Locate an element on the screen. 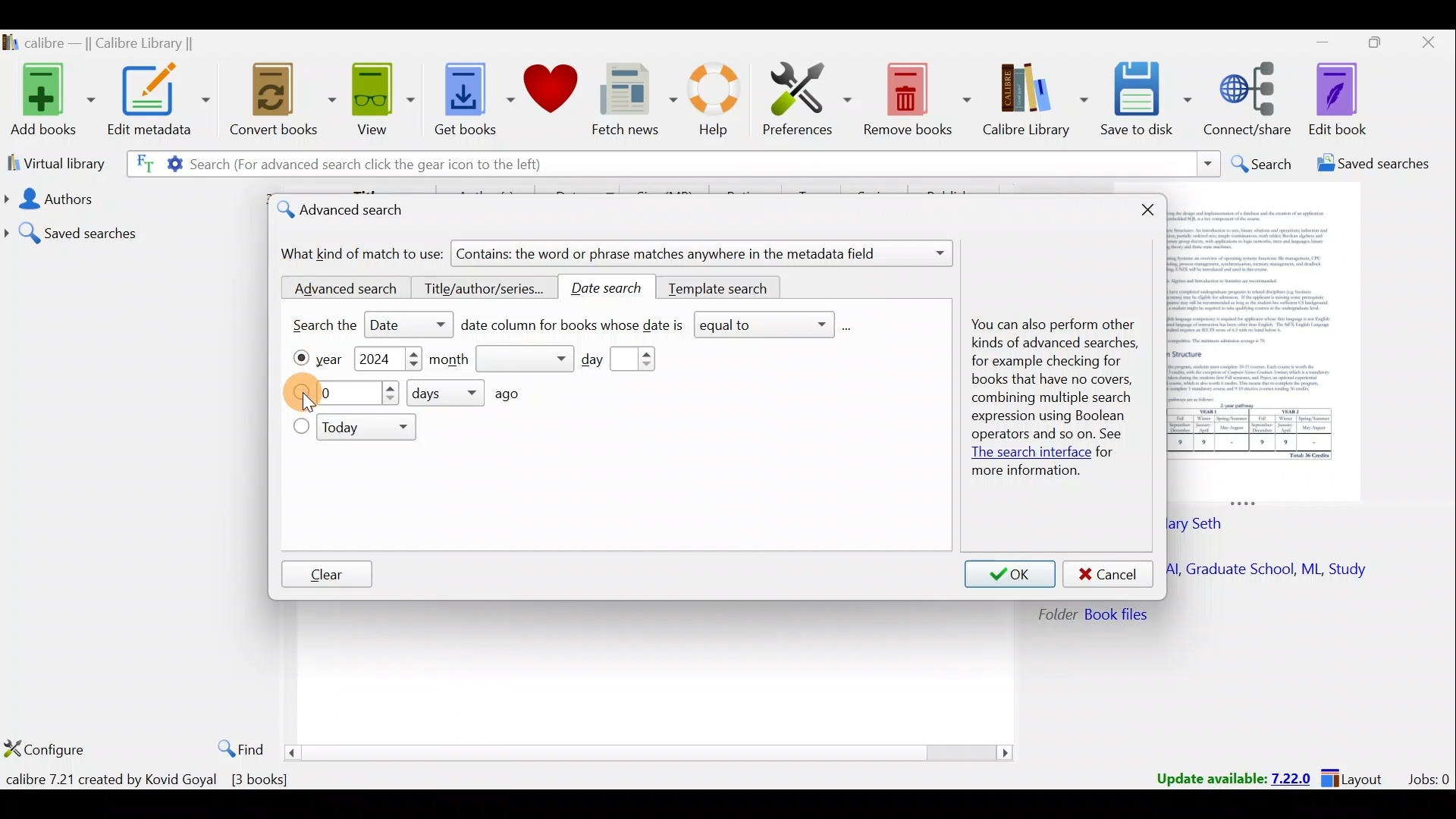 The height and width of the screenshot is (819, 1456). Month is located at coordinates (501, 359).